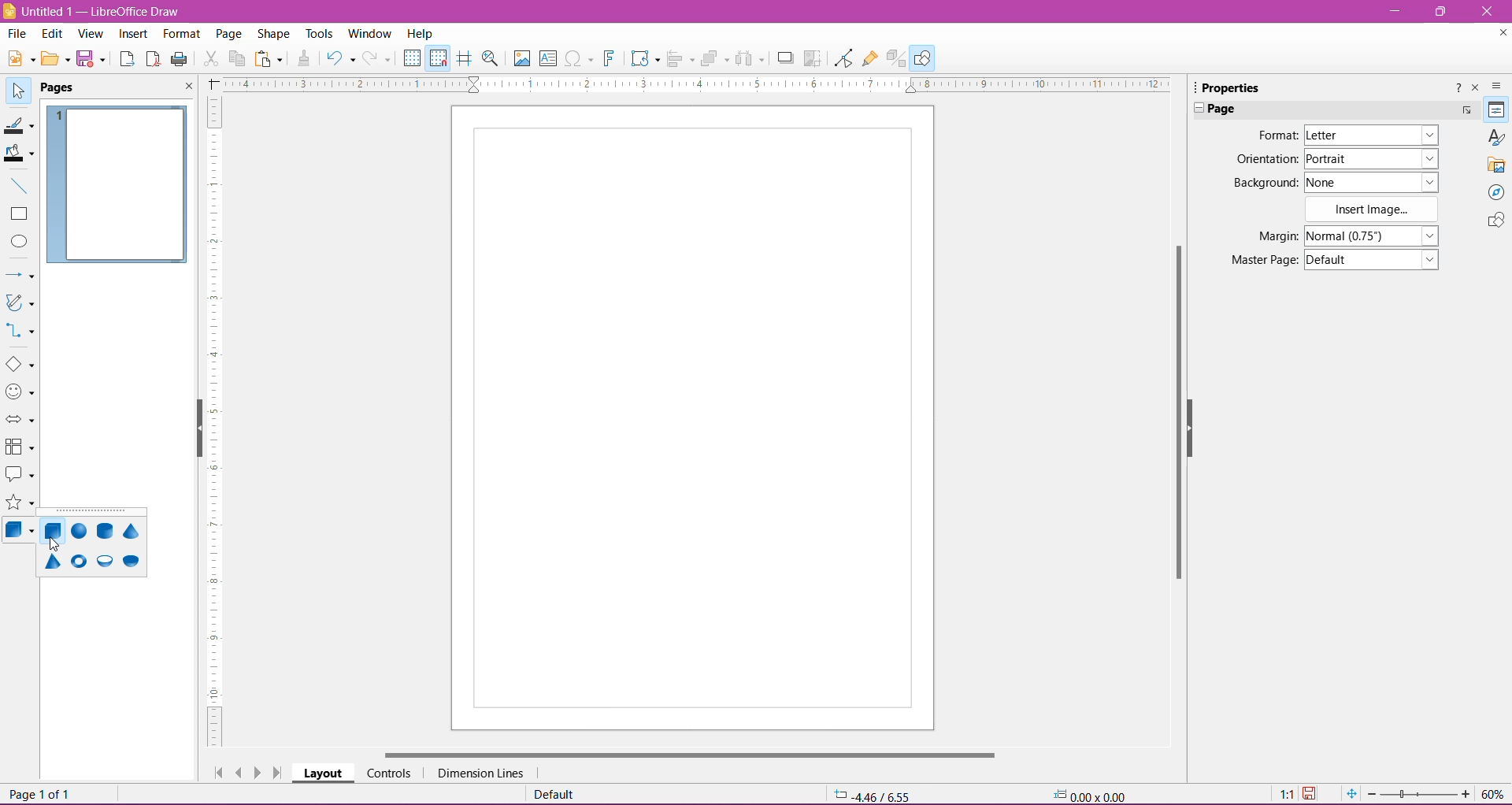 The height and width of the screenshot is (805, 1512). Describe the element at coordinates (18, 89) in the screenshot. I see `Select Item` at that location.